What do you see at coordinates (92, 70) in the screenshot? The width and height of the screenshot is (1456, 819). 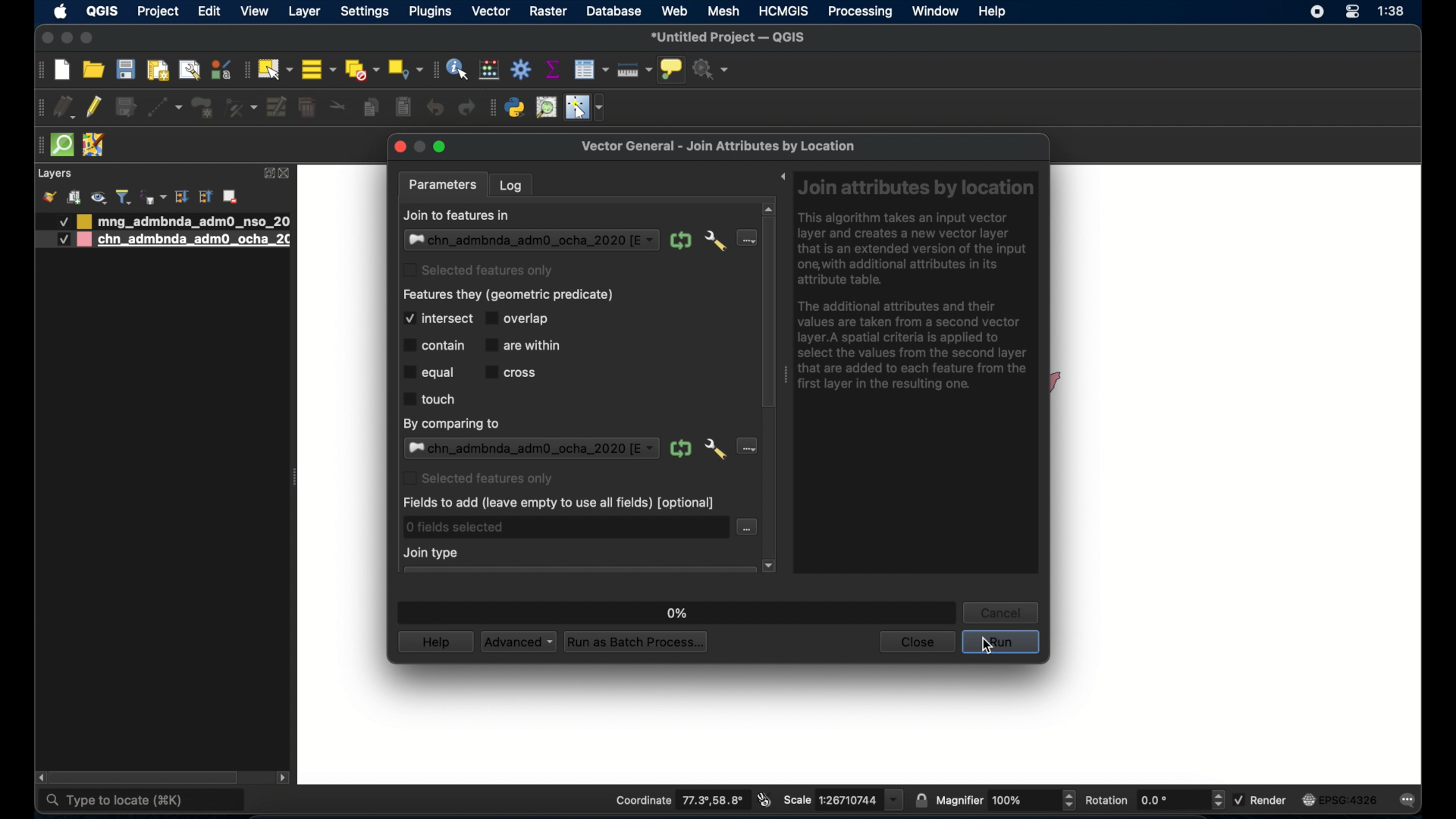 I see `open project` at bounding box center [92, 70].